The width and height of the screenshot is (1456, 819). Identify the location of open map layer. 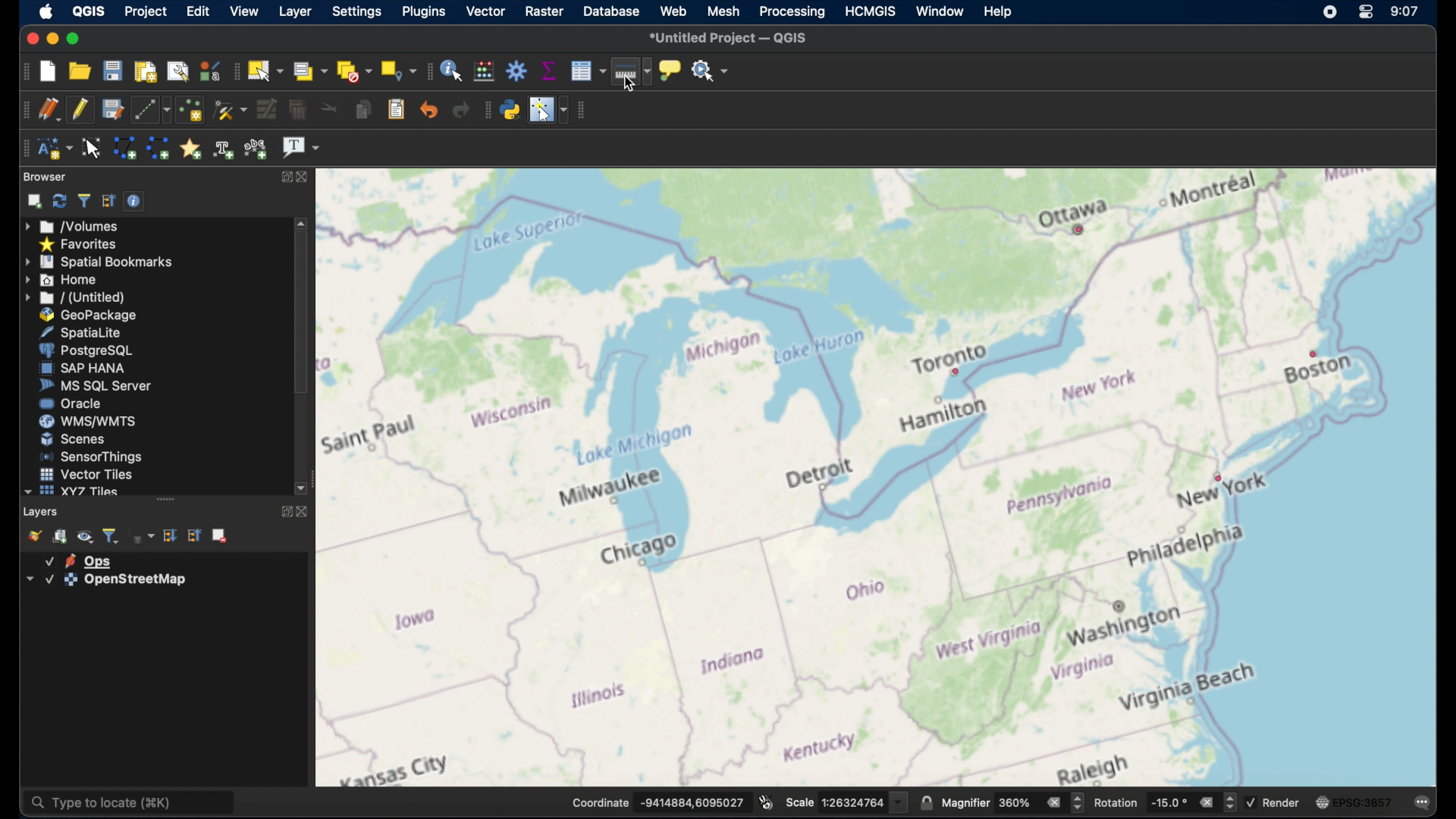
(31, 535).